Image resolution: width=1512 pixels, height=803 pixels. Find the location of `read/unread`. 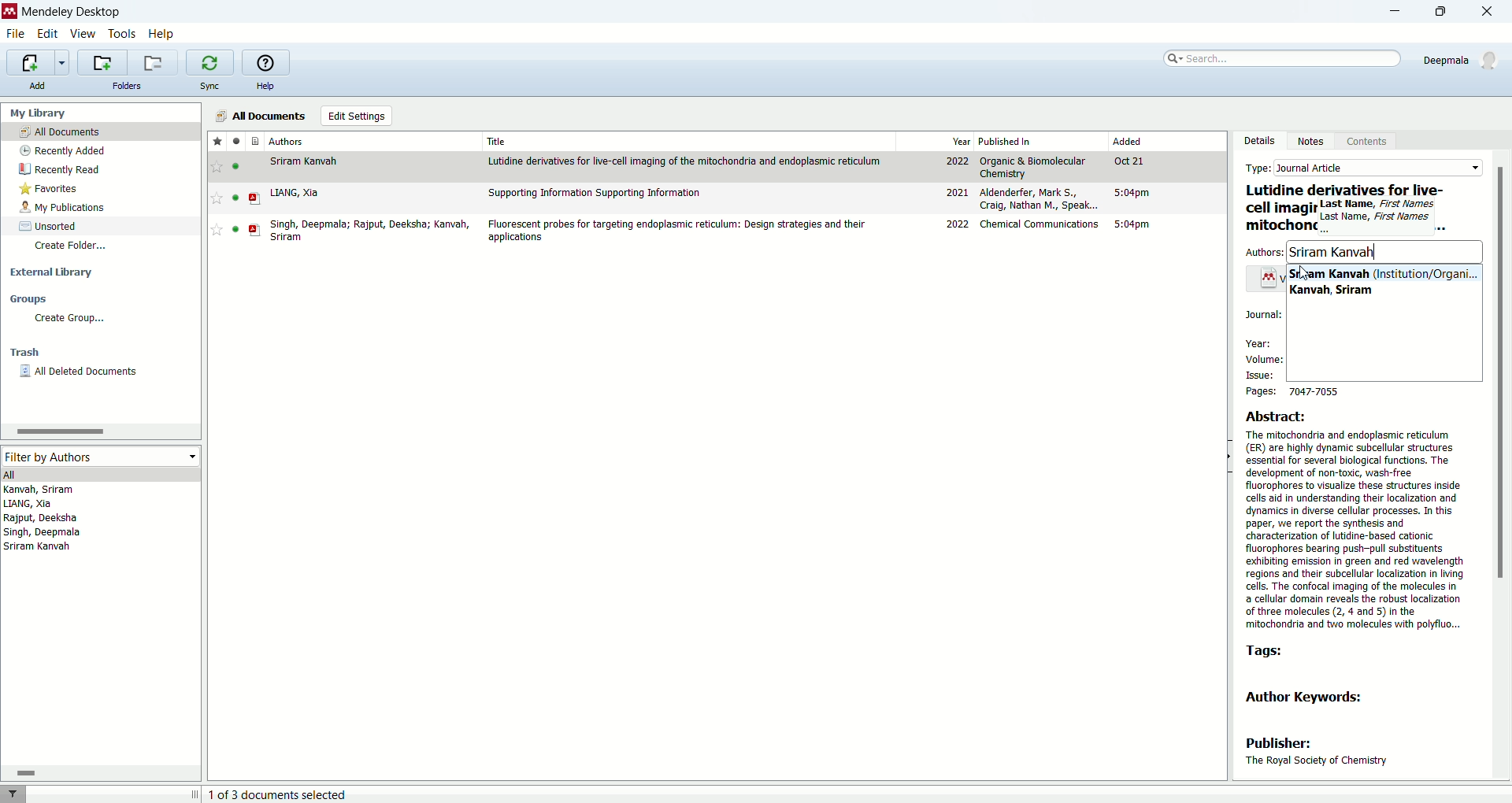

read/unread is located at coordinates (232, 231).